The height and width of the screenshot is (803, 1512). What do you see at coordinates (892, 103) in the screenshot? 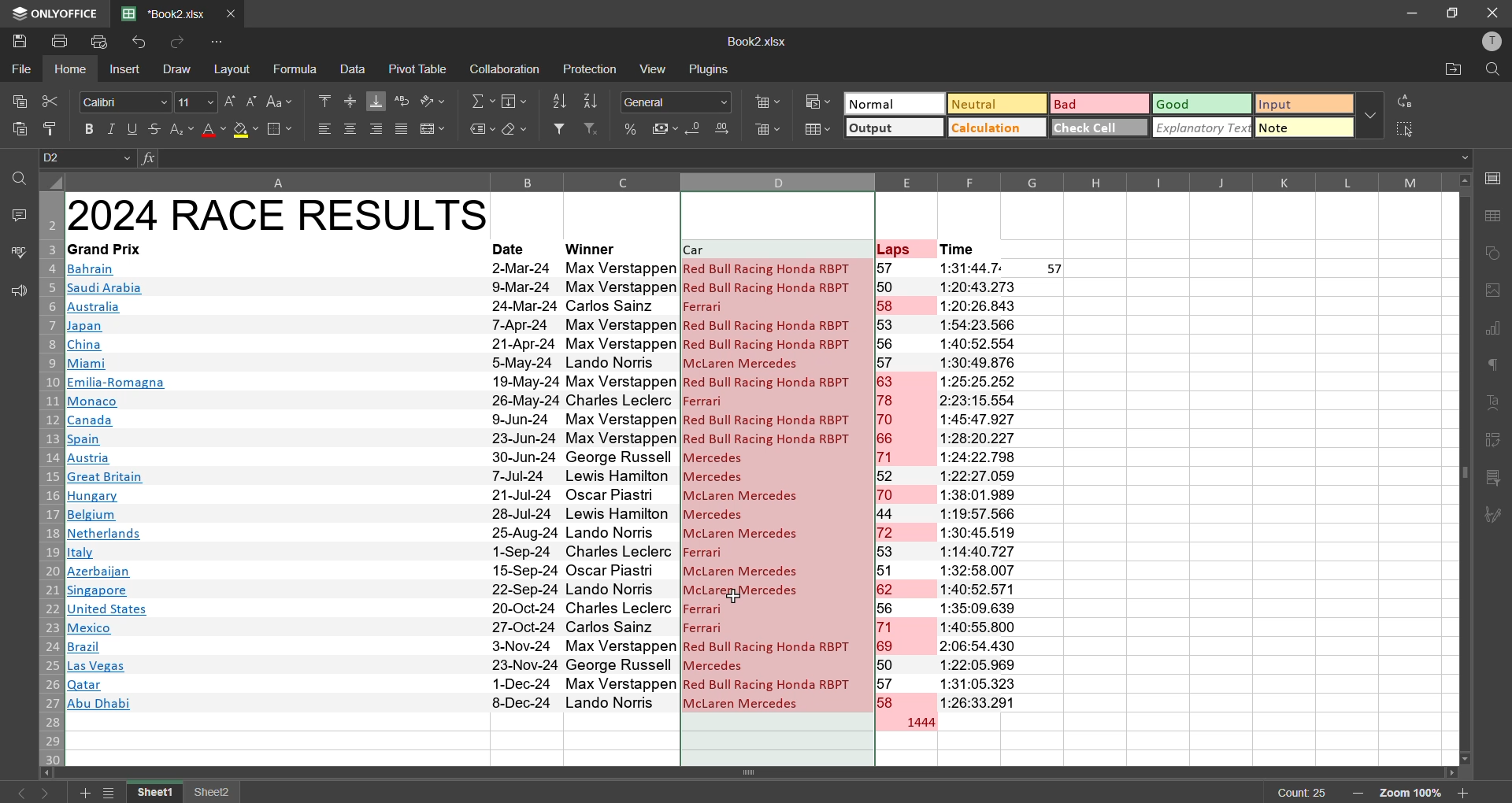
I see `normal` at bounding box center [892, 103].